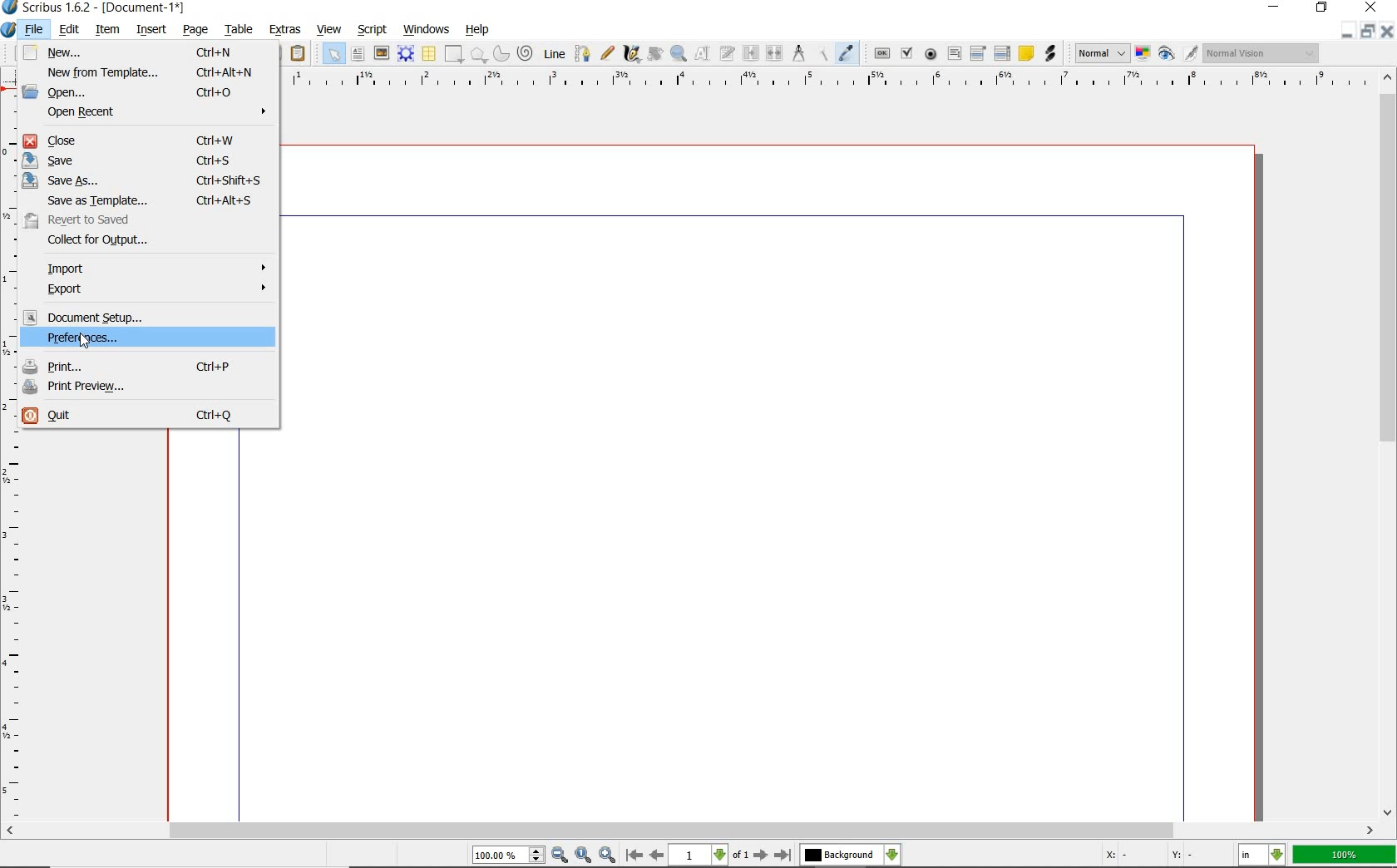 The height and width of the screenshot is (868, 1397). I want to click on restore, so click(1323, 7).